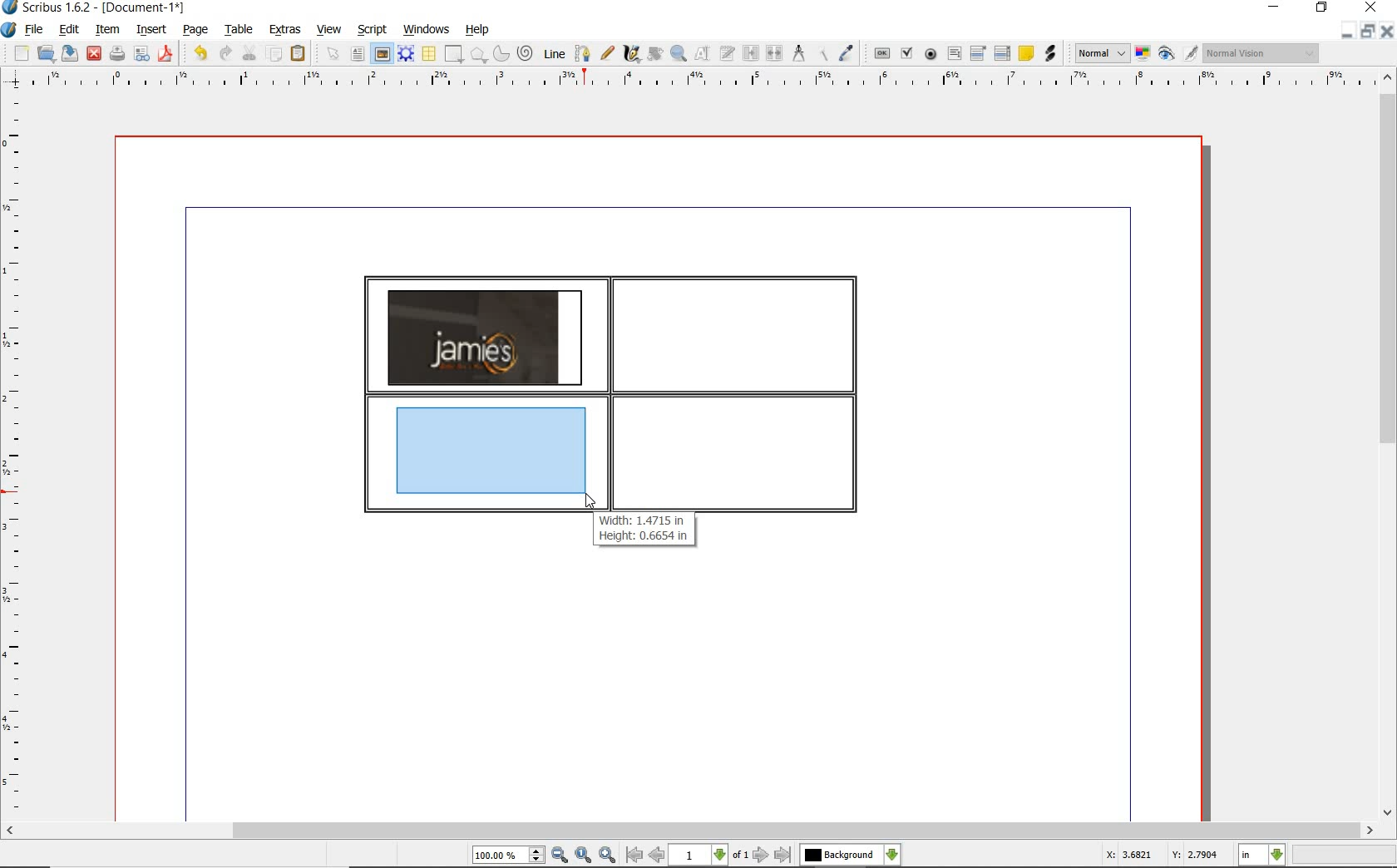  Describe the element at coordinates (1027, 54) in the screenshot. I see `text annotation` at that location.